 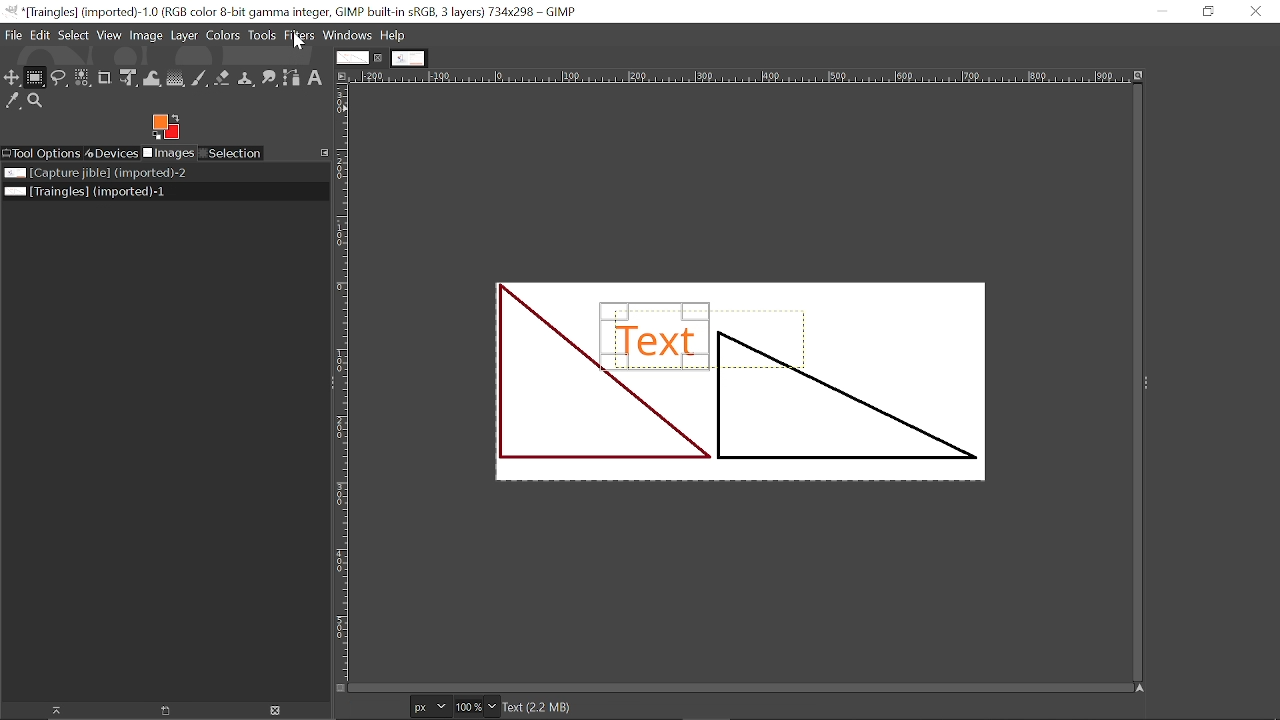 I want to click on View, so click(x=110, y=37).